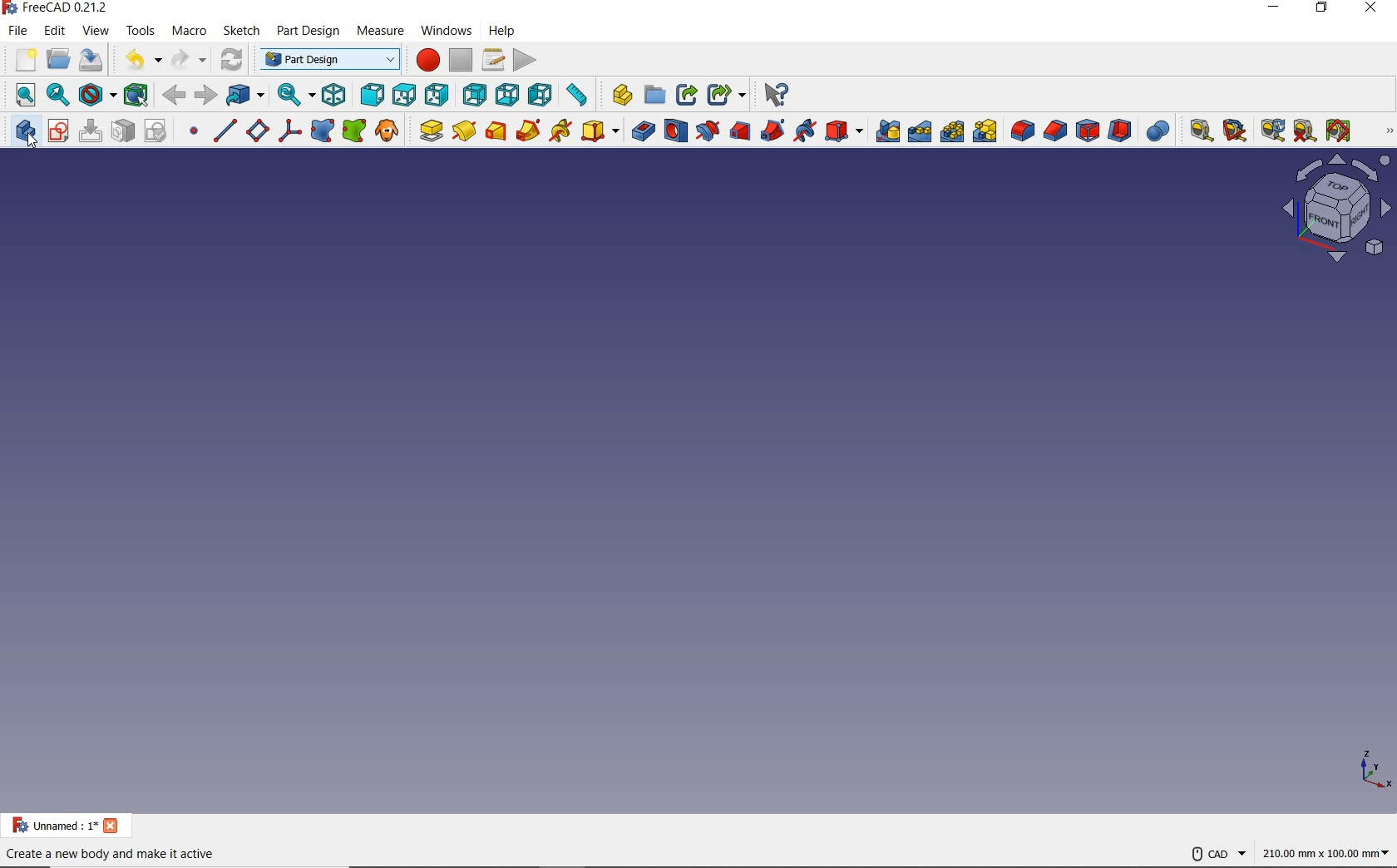 This screenshot has height=868, width=1397. I want to click on Windows, so click(444, 32).